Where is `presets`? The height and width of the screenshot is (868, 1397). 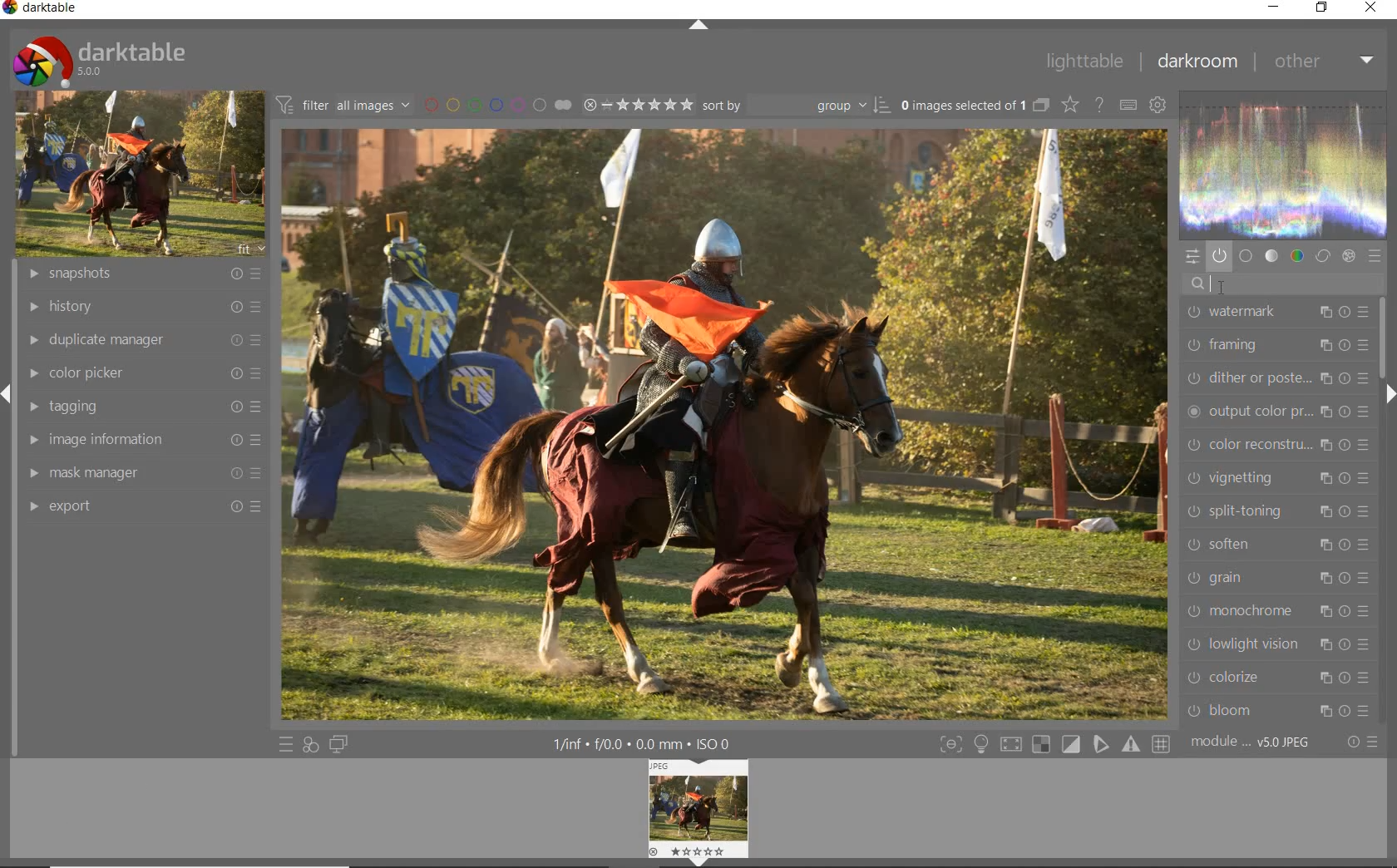 presets is located at coordinates (1375, 257).